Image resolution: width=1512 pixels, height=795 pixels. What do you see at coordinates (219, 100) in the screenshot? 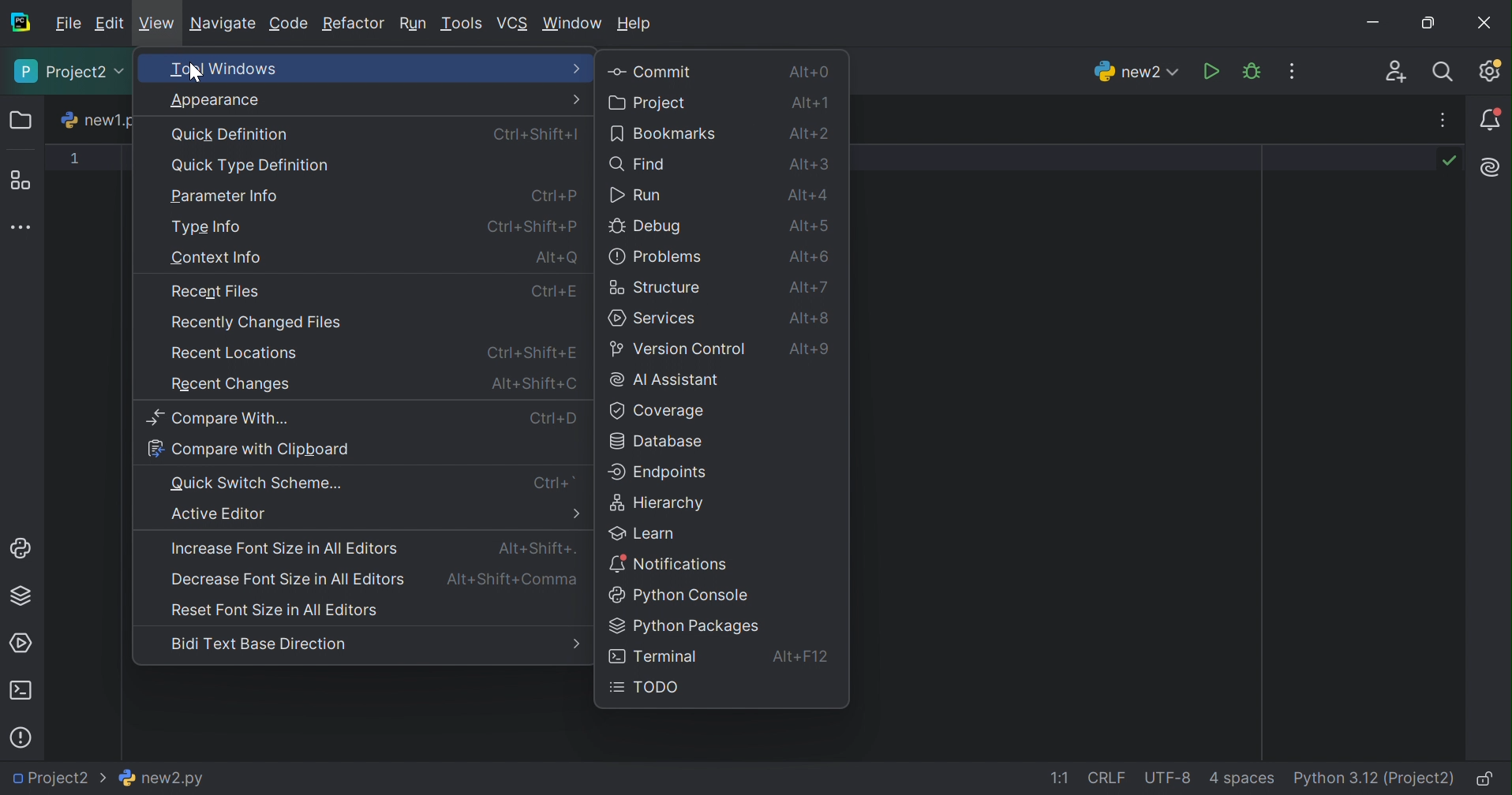
I see `Apearance` at bounding box center [219, 100].